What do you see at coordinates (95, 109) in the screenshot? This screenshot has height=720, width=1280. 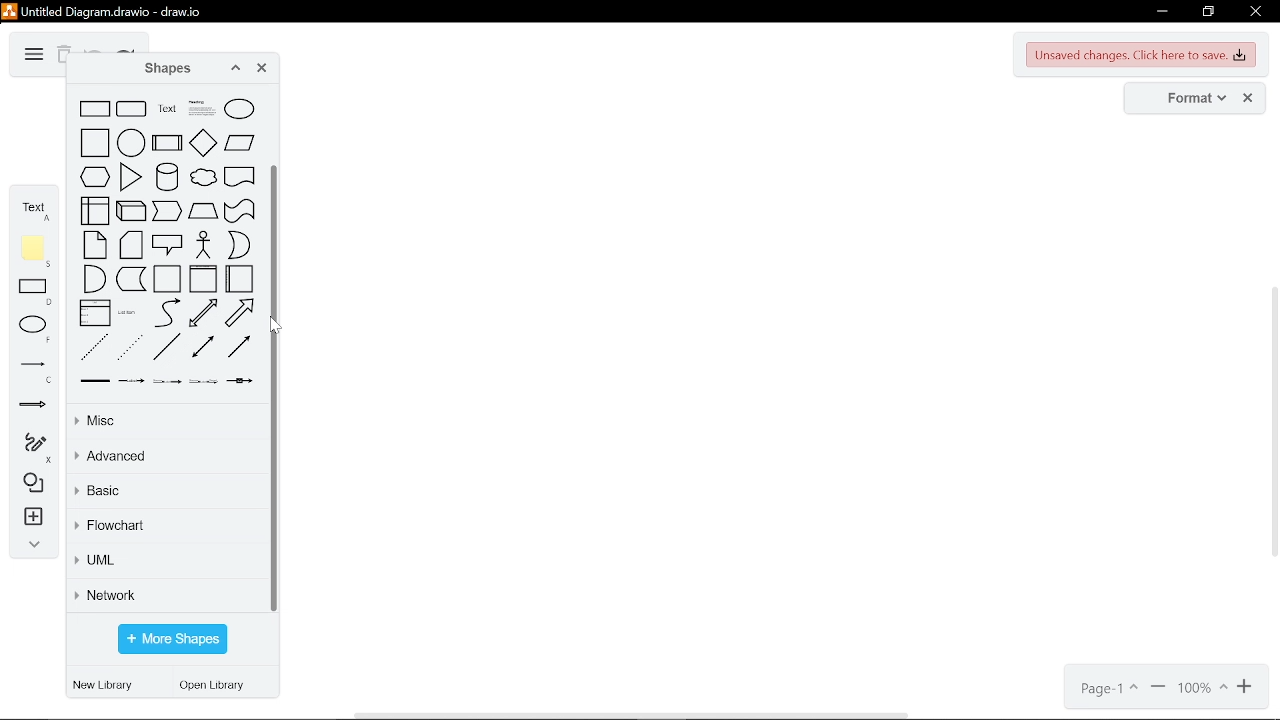 I see `rectangle` at bounding box center [95, 109].